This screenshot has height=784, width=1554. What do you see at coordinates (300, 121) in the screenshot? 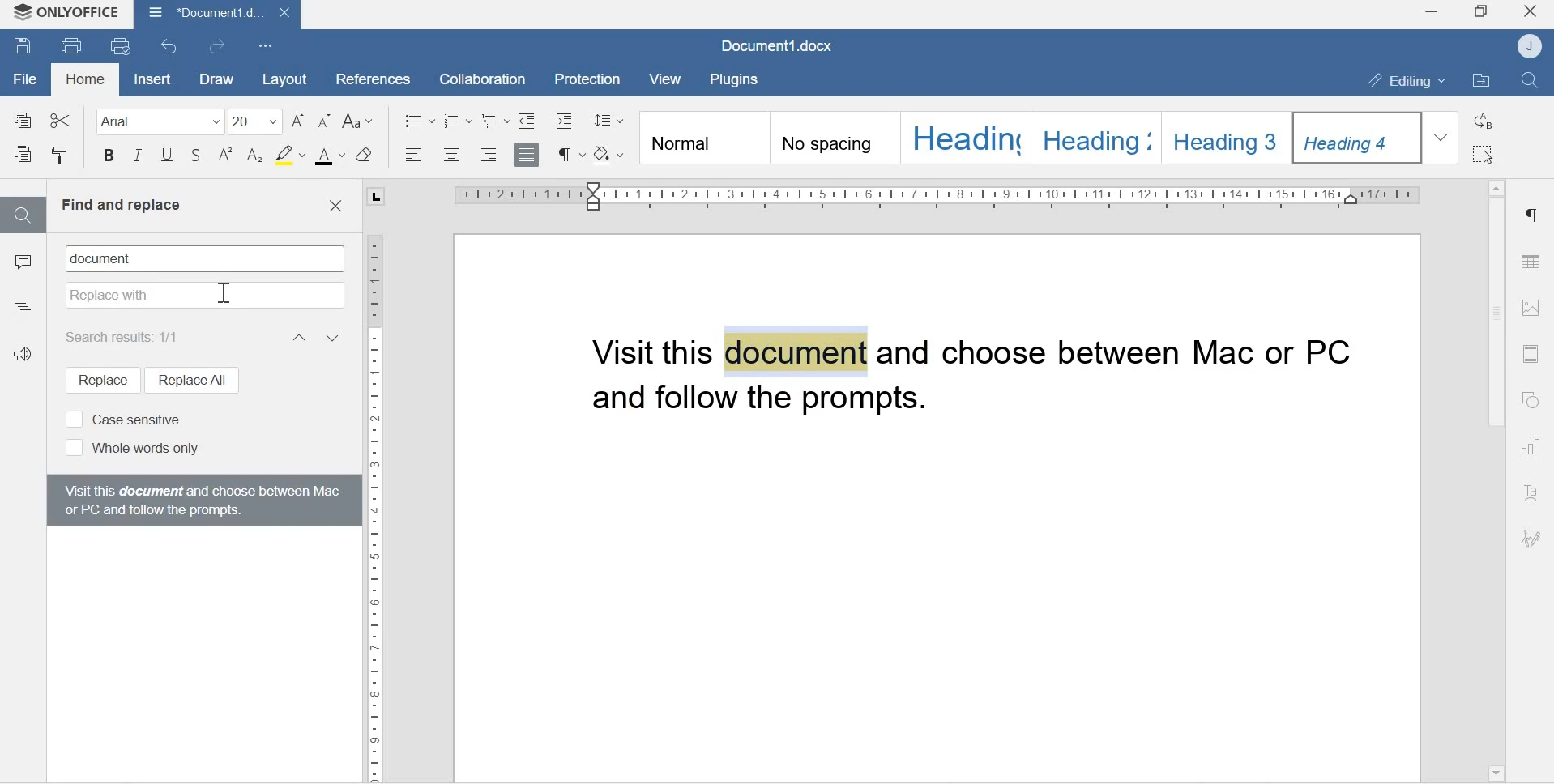
I see `Increment font size` at bounding box center [300, 121].